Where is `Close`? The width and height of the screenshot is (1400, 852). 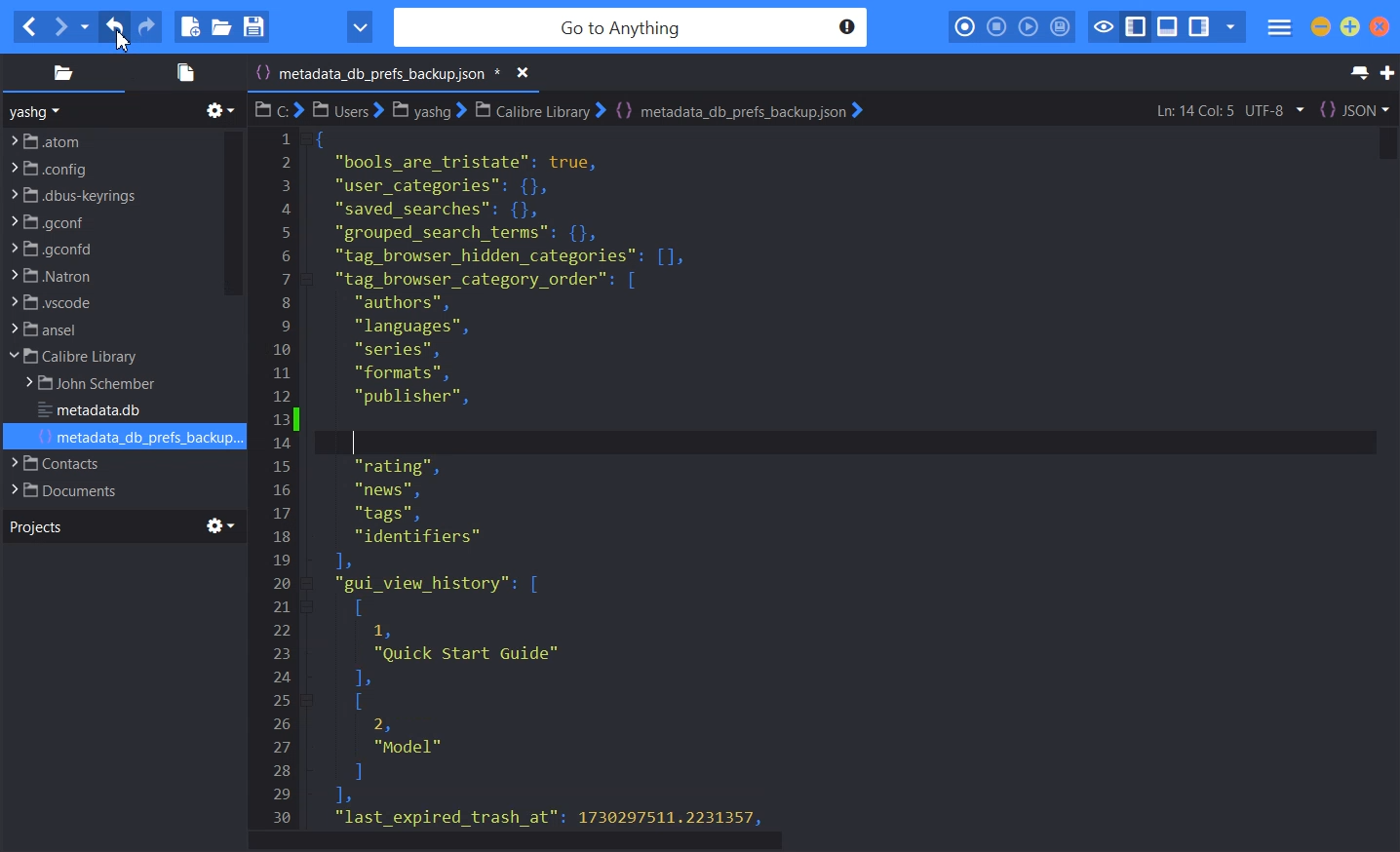 Close is located at coordinates (508, 73).